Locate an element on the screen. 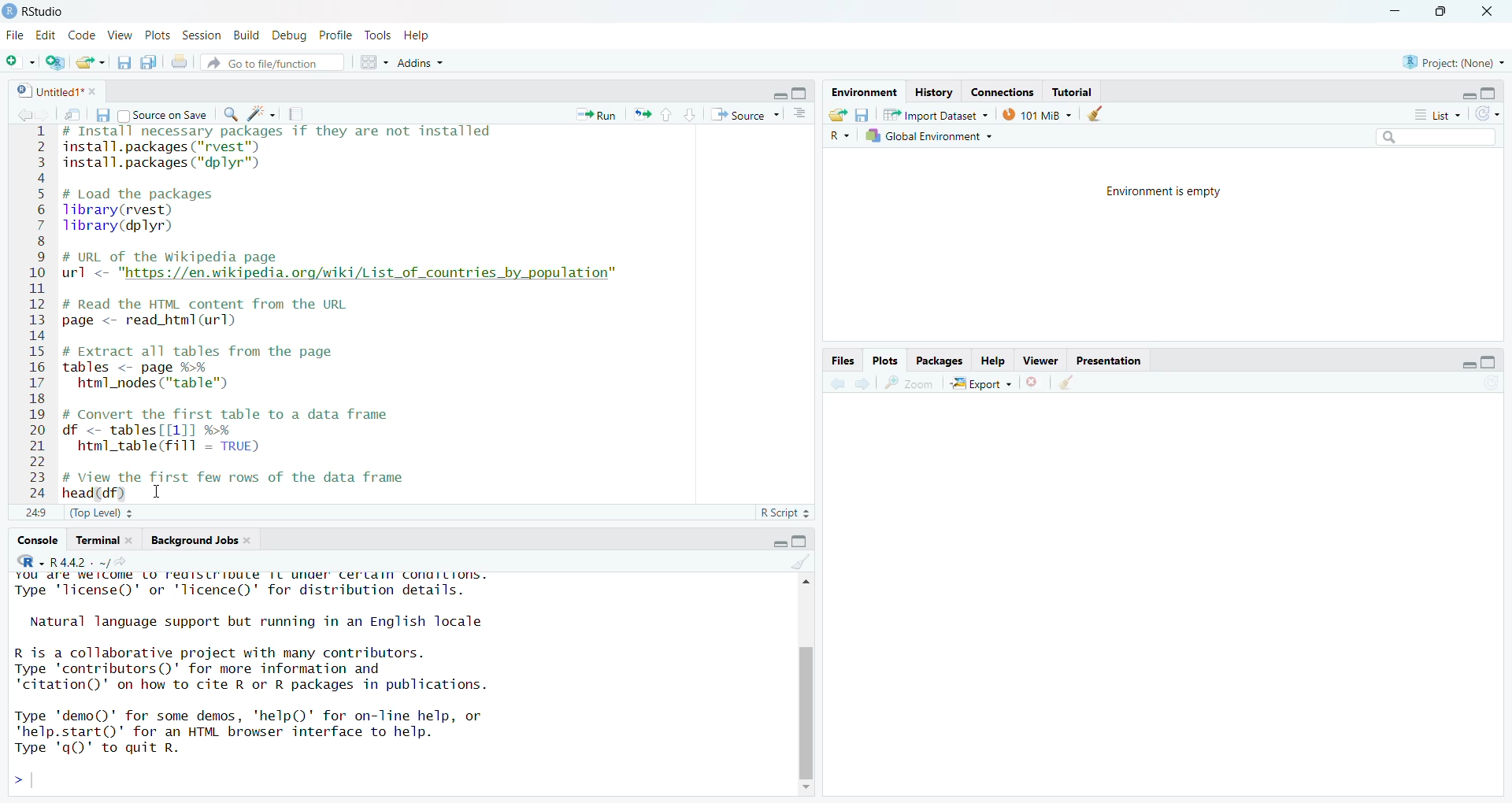  Help is located at coordinates (994, 361).